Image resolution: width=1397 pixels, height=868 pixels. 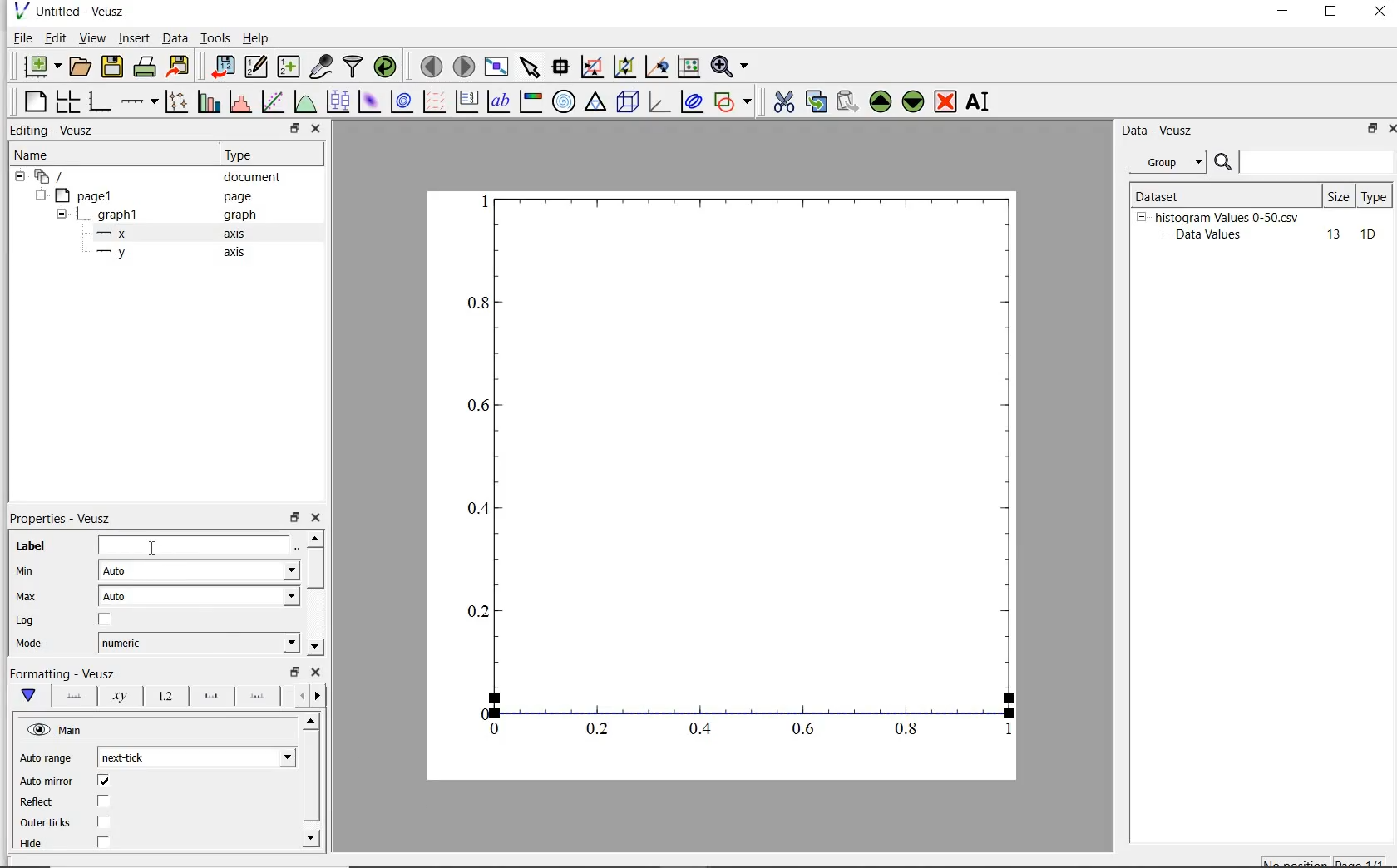 What do you see at coordinates (30, 155) in the screenshot?
I see `name` at bounding box center [30, 155].